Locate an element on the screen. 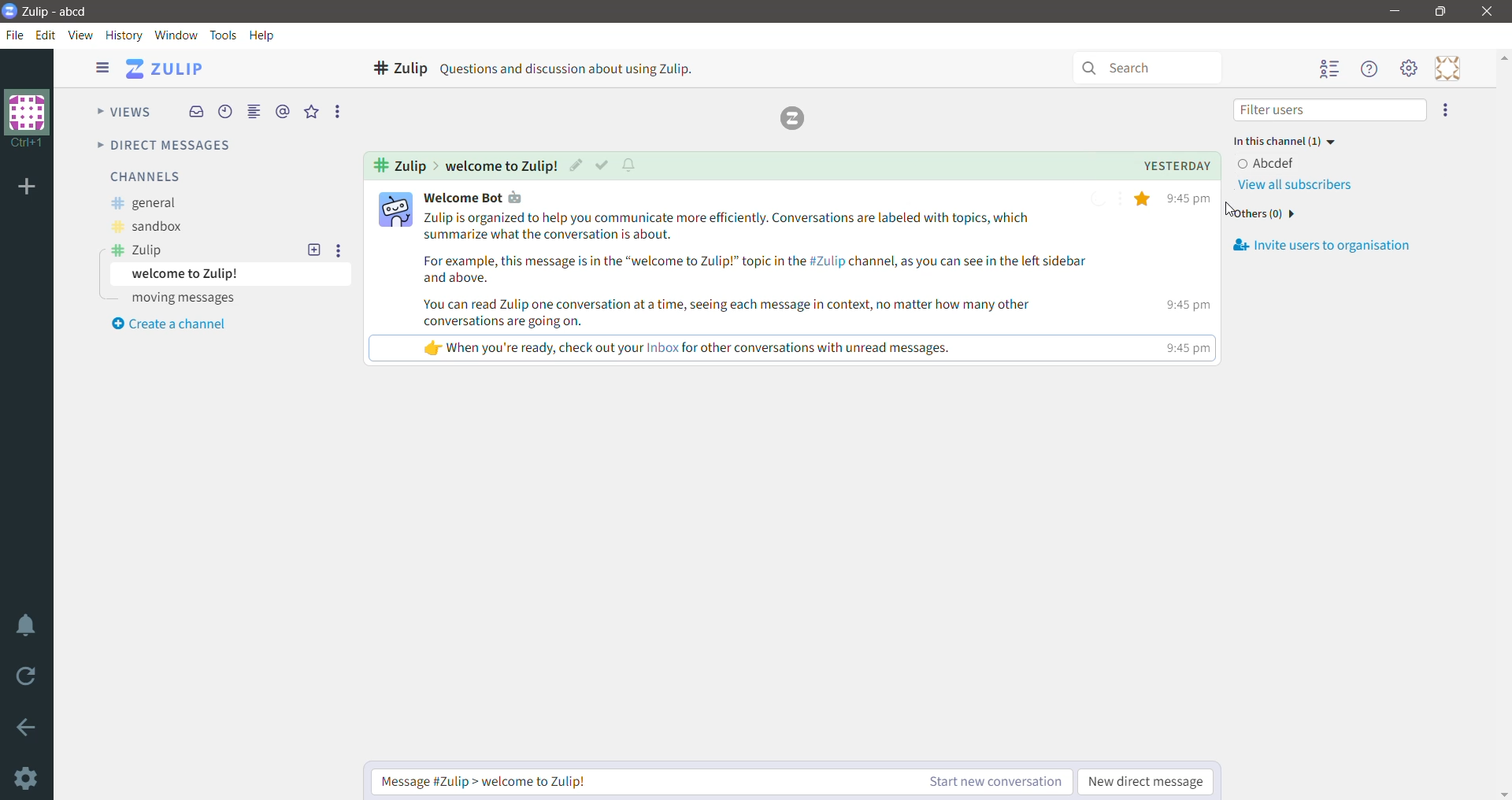 This screenshot has height=800, width=1512. More is located at coordinates (339, 111).